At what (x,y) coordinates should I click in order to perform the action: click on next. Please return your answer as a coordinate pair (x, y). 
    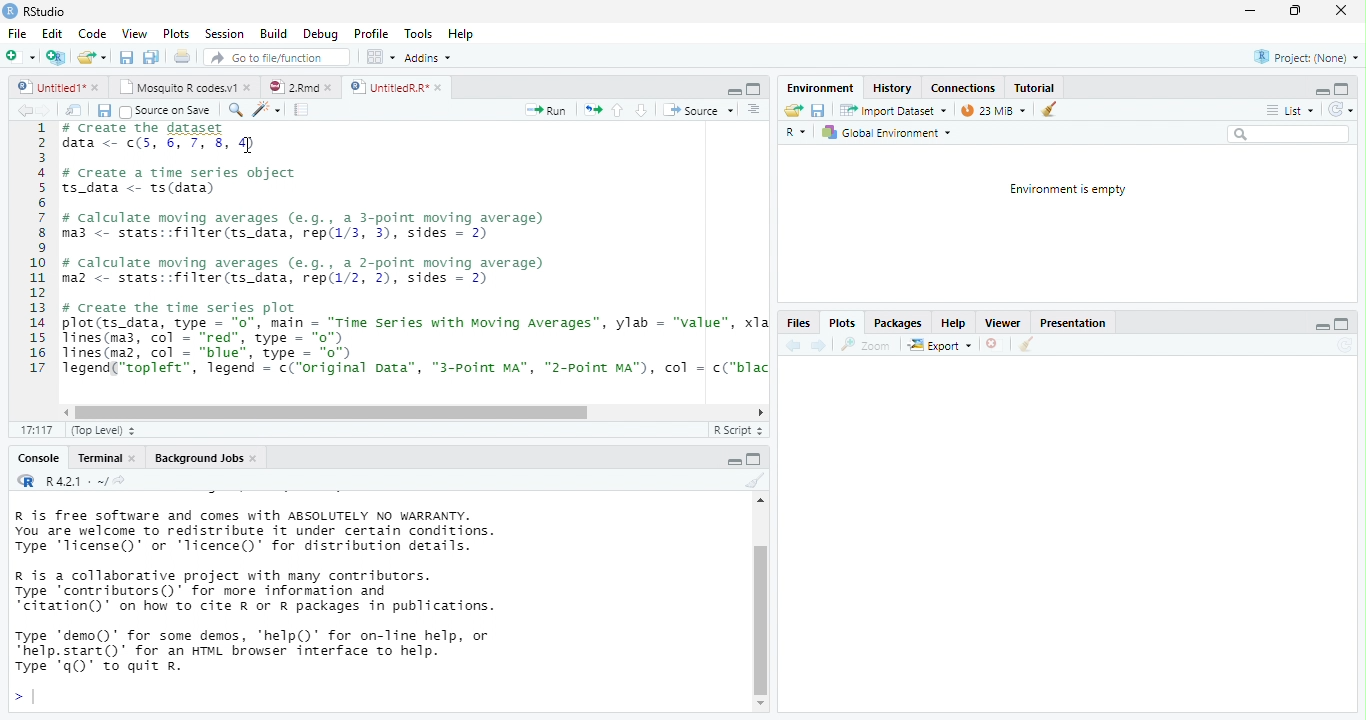
    Looking at the image, I should click on (819, 345).